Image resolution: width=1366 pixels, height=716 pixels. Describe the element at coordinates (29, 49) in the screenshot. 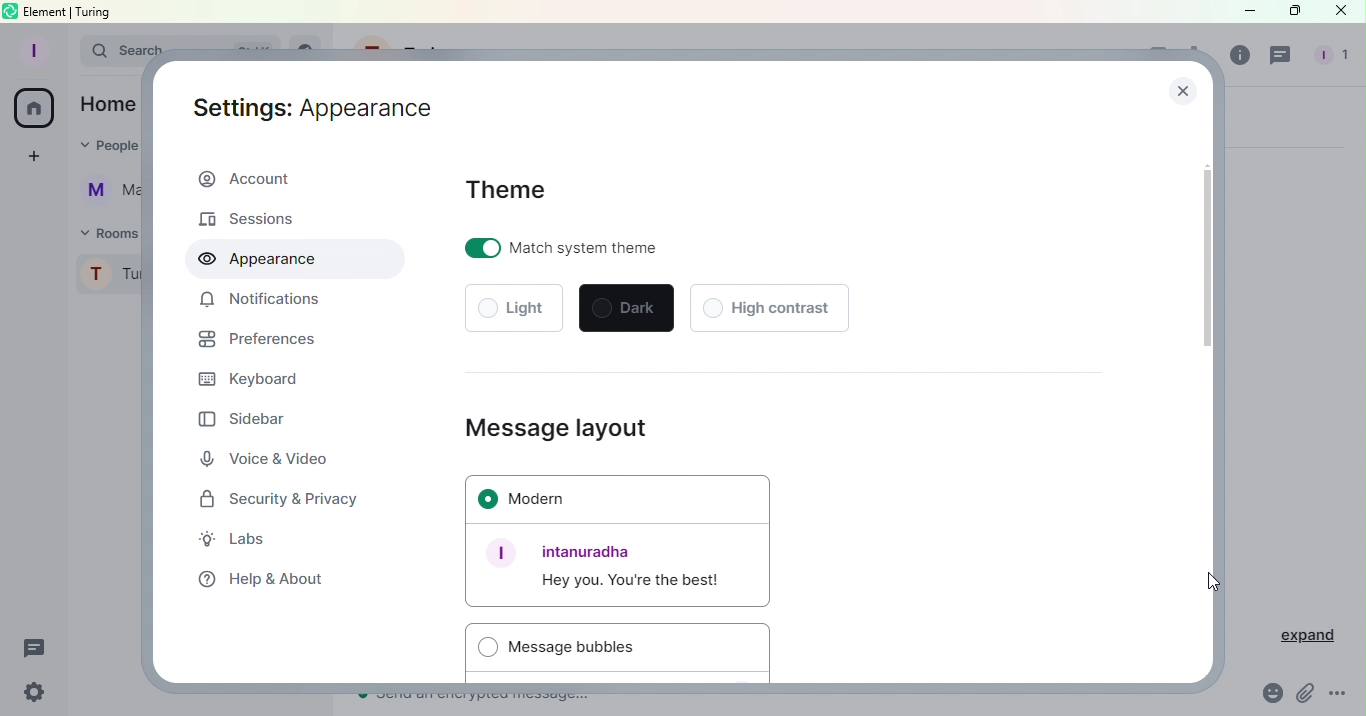

I see `Profile` at that location.